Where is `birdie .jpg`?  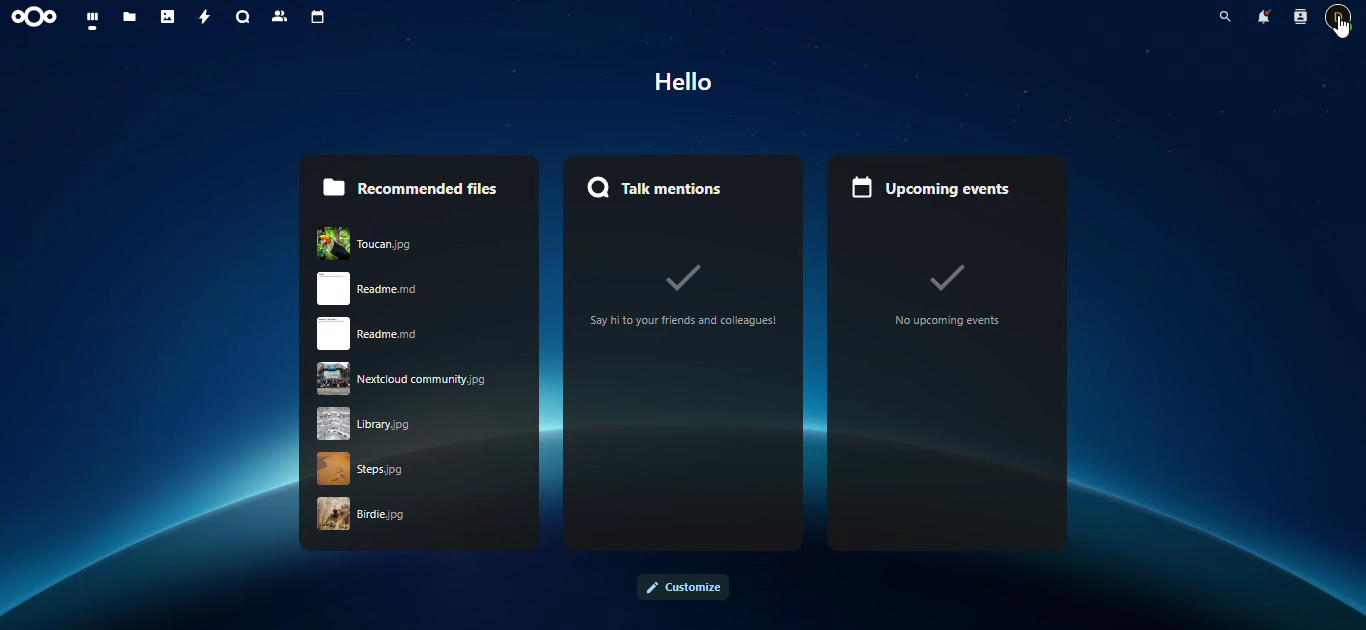
birdie .jpg is located at coordinates (404, 514).